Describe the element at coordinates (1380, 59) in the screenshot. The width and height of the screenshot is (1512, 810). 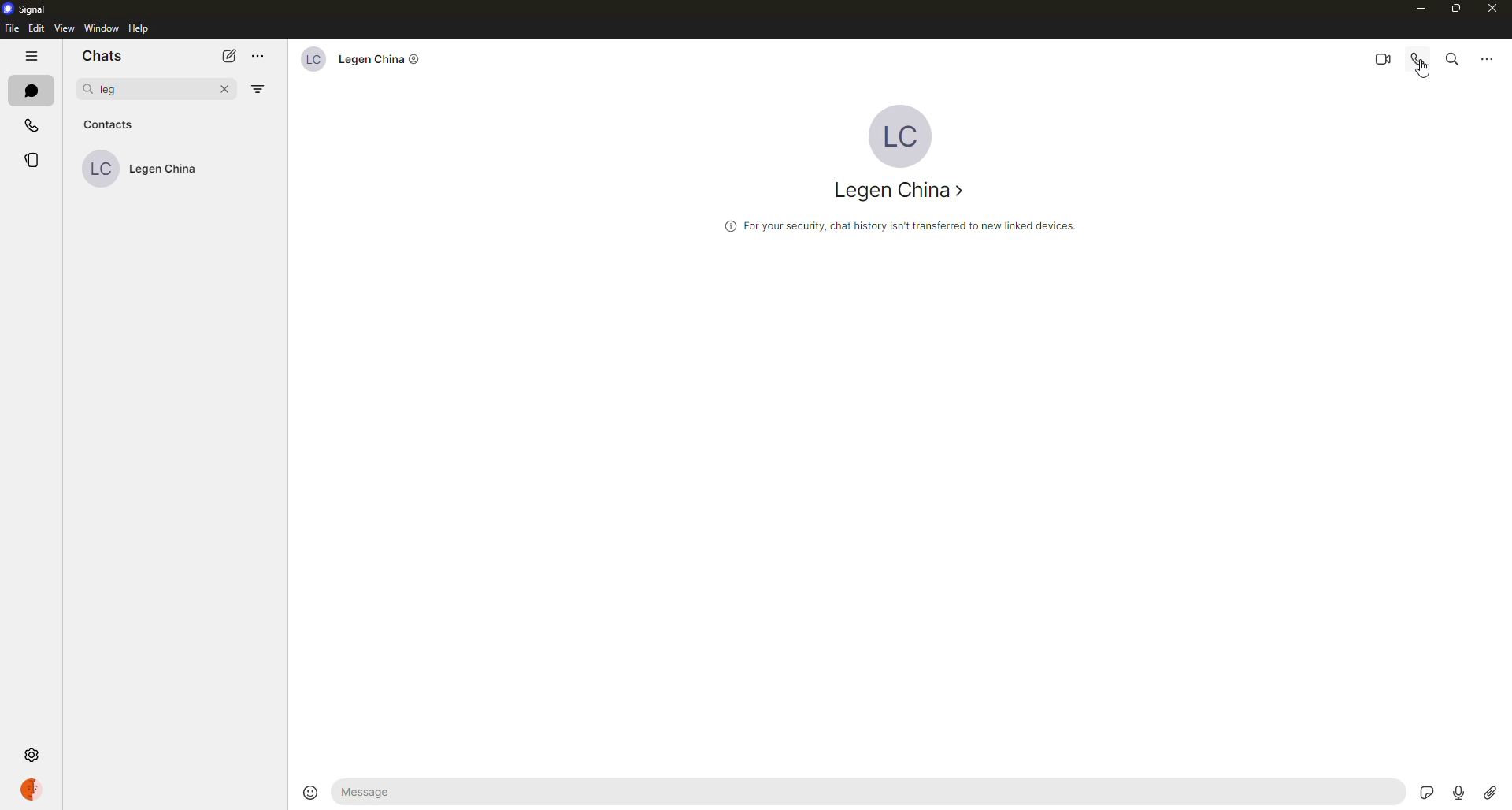
I see `video call` at that location.